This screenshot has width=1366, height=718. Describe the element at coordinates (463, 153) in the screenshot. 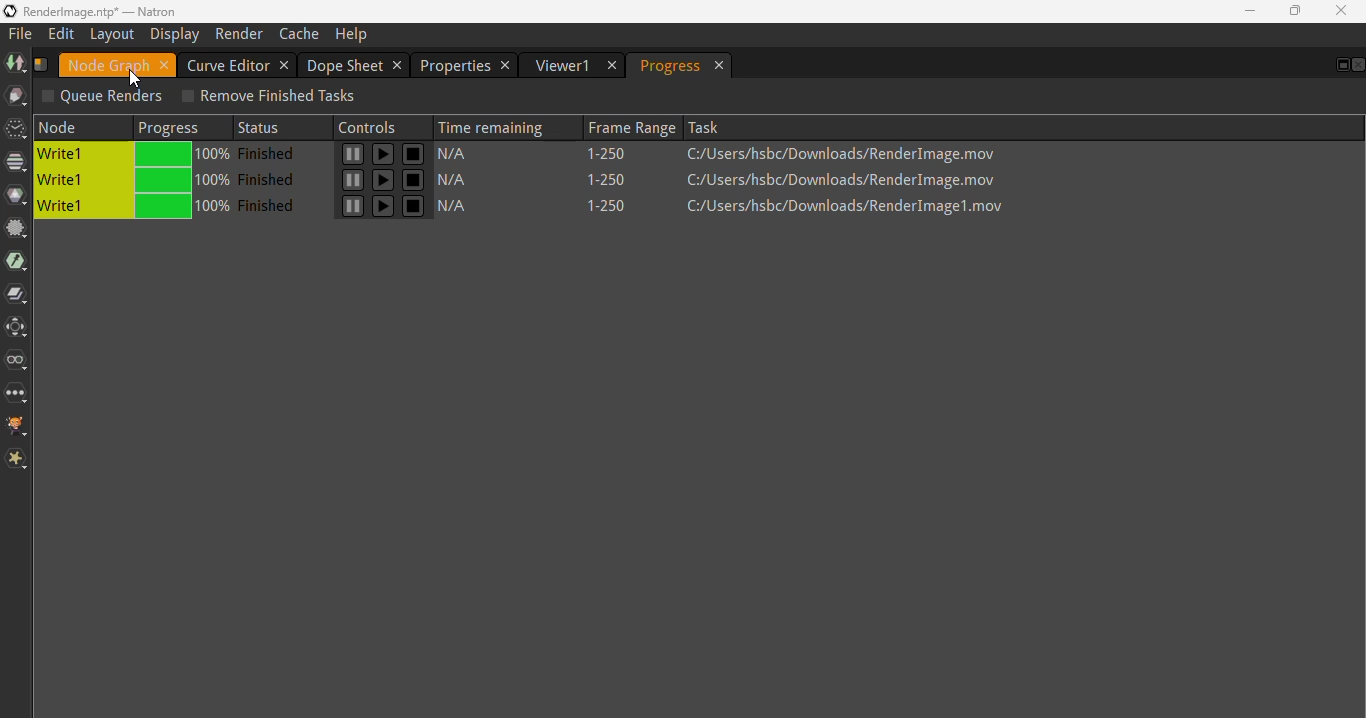

I see `N/A` at that location.